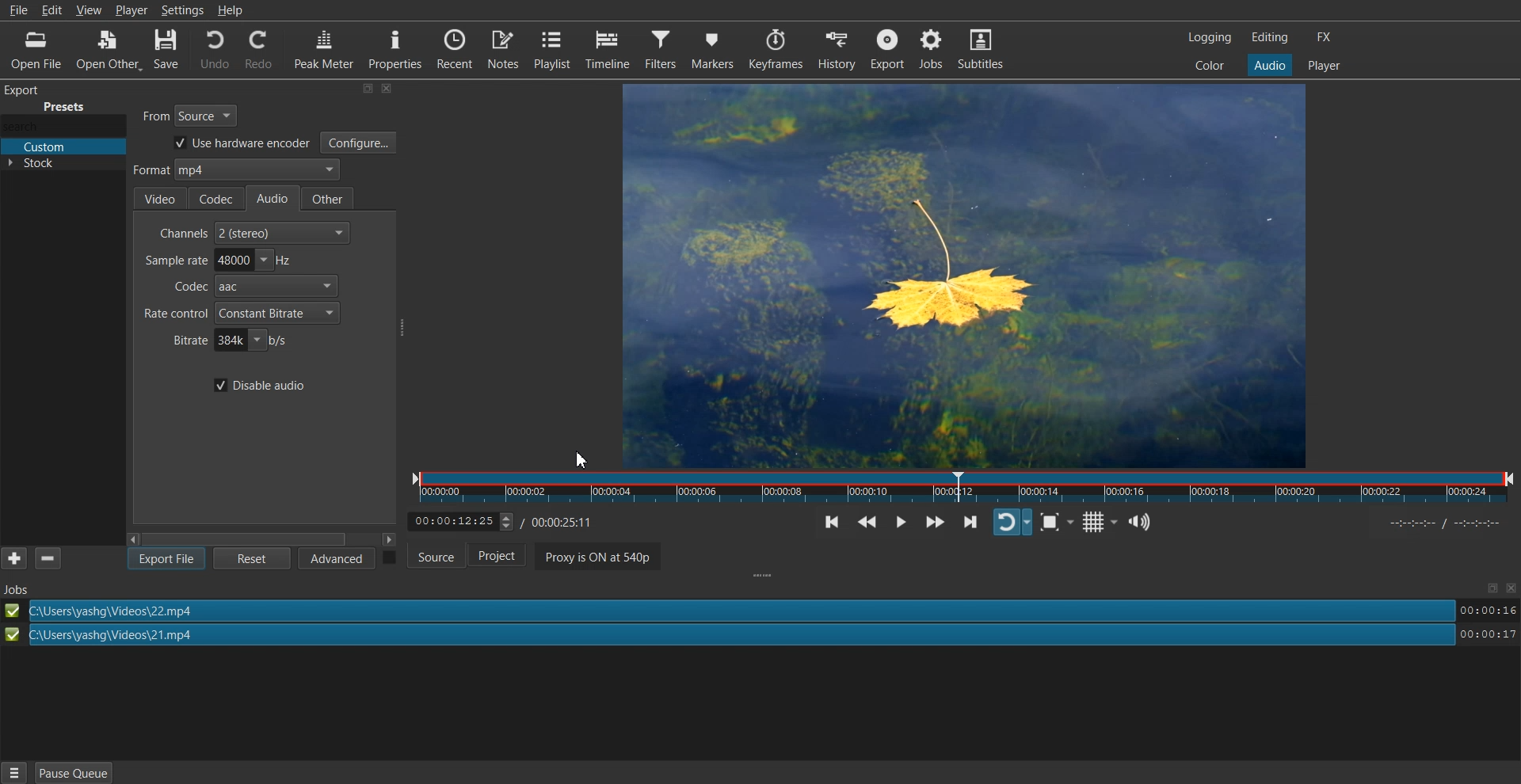 This screenshot has width=1521, height=784. What do you see at coordinates (238, 144) in the screenshot?
I see `Use hardware encoder` at bounding box center [238, 144].